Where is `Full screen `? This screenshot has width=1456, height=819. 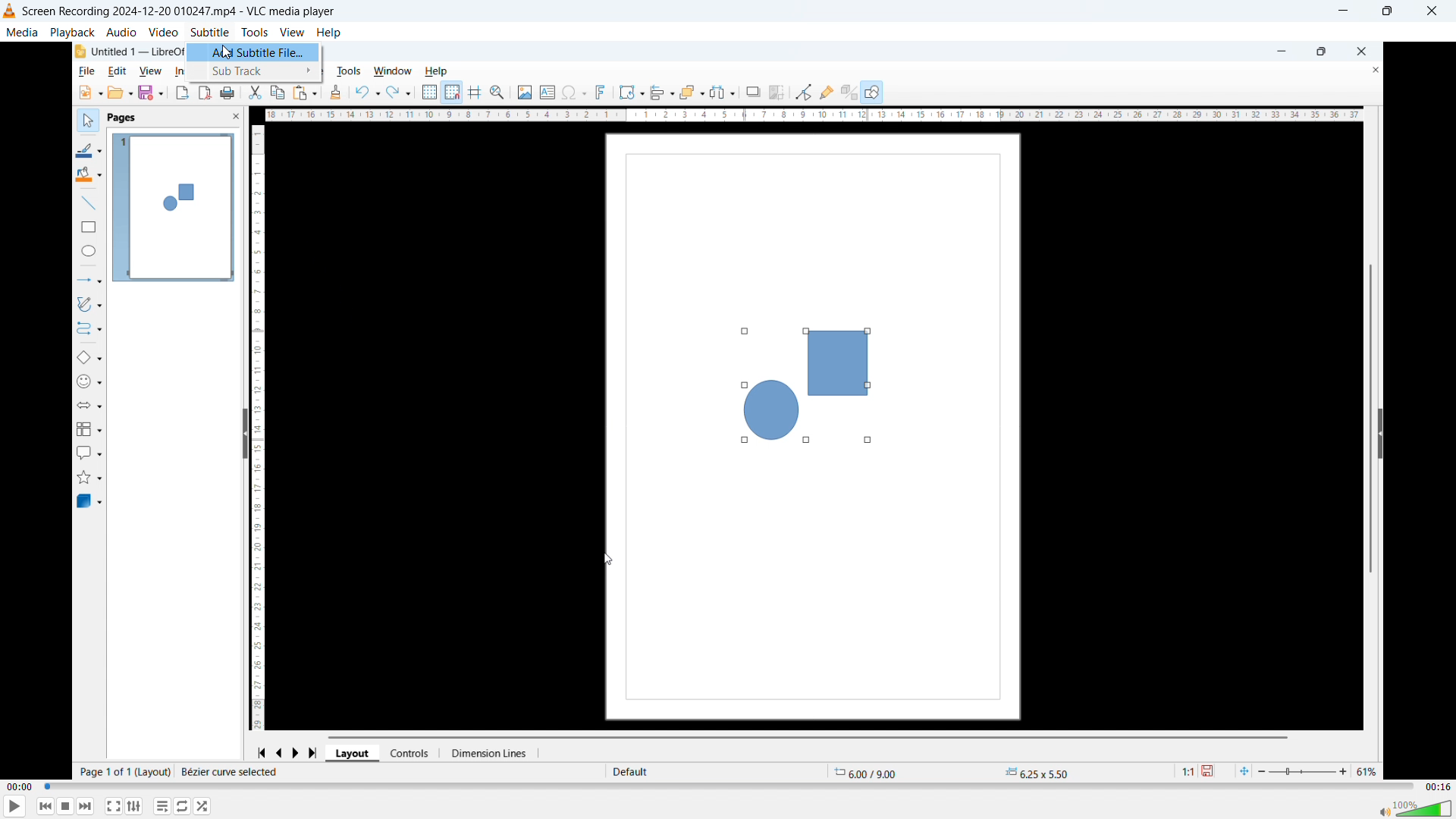 Full screen  is located at coordinates (114, 805).